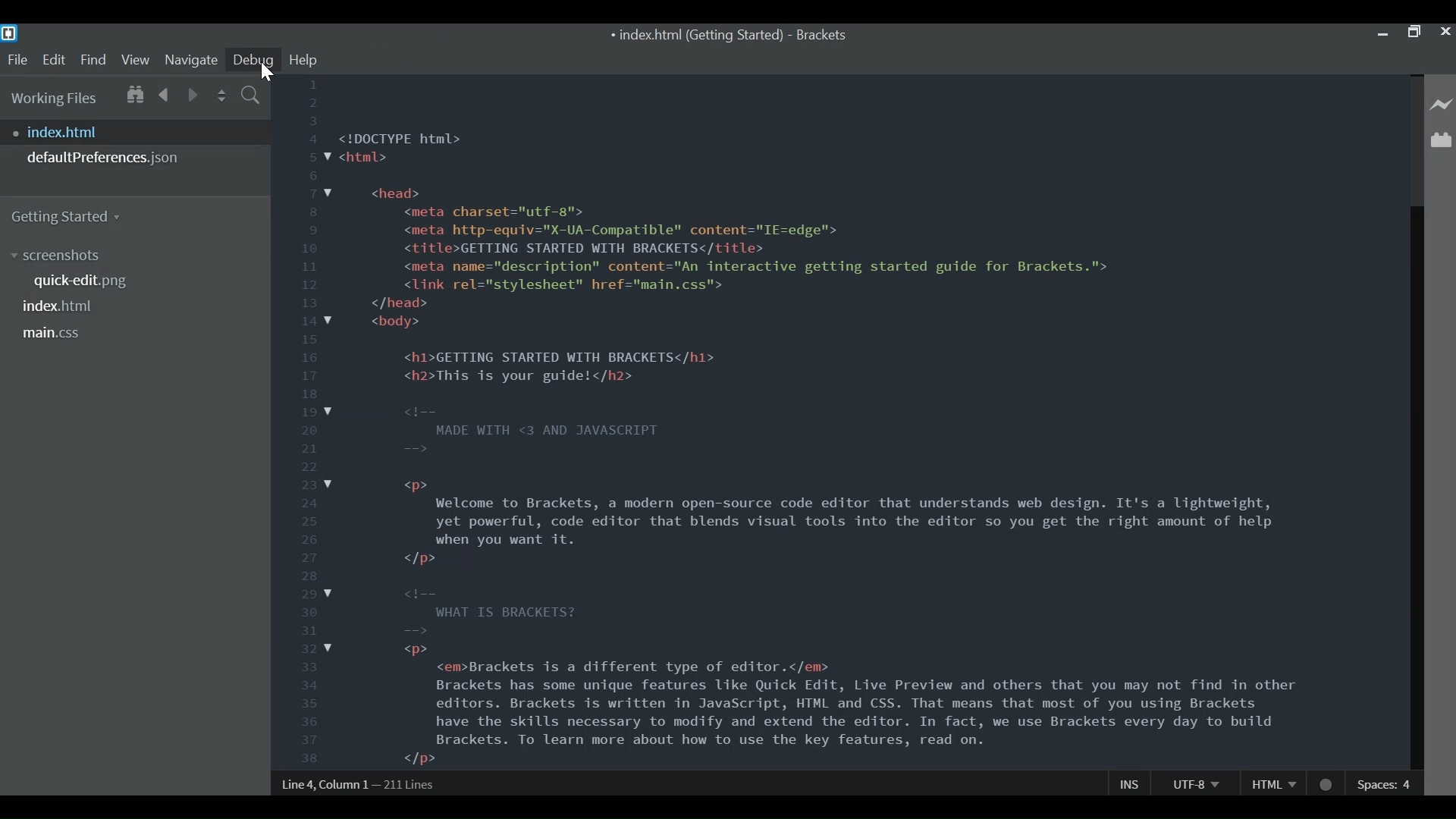 This screenshot has width=1456, height=819. Describe the element at coordinates (306, 422) in the screenshot. I see `line number` at that location.